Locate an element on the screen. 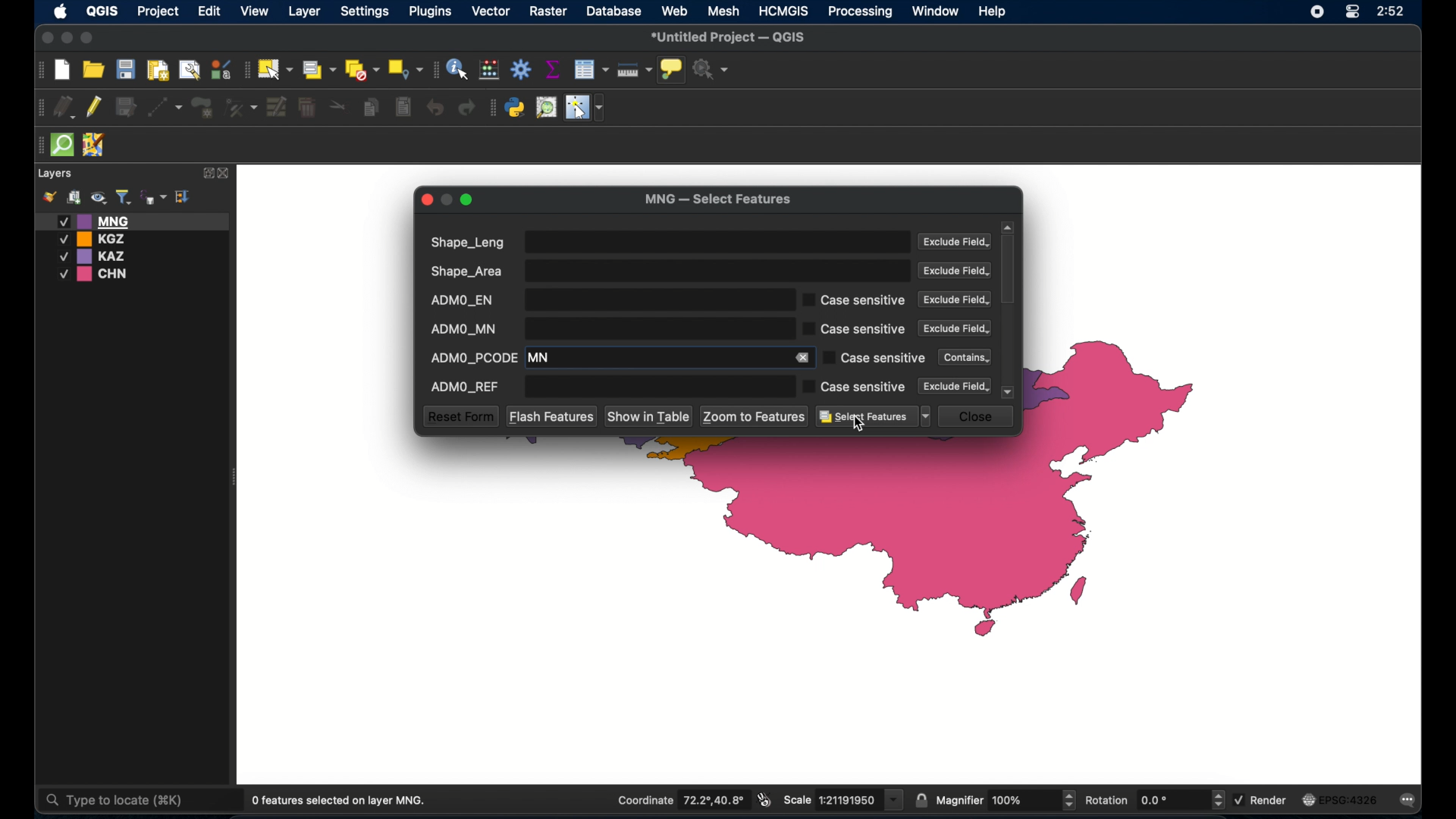 Image resolution: width=1456 pixels, height=819 pixels. untitled project - QGIS is located at coordinates (730, 37).